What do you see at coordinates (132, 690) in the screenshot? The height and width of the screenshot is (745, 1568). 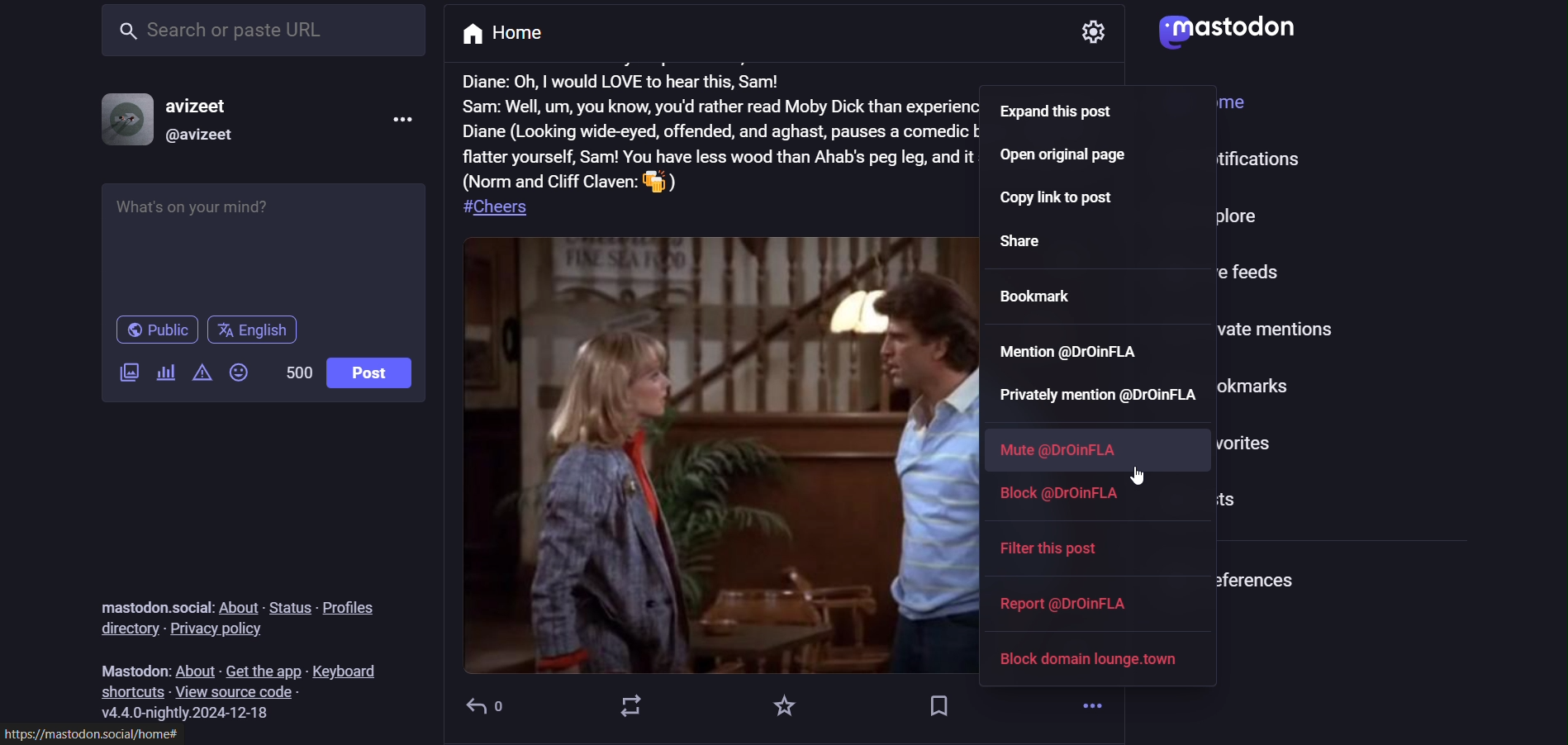 I see `shortcuts` at bounding box center [132, 690].